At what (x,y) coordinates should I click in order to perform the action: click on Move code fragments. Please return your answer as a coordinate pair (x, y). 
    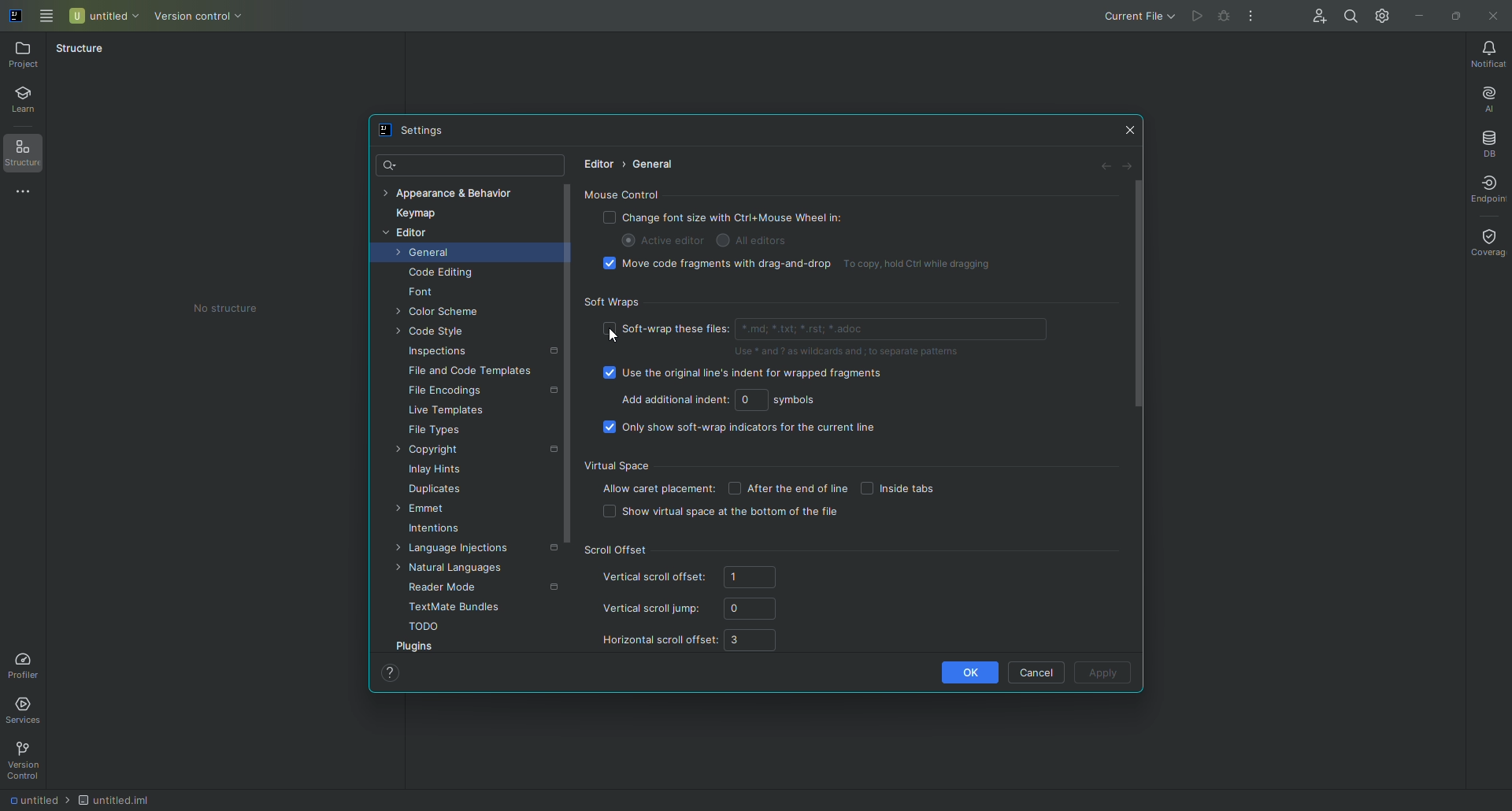
    Looking at the image, I should click on (719, 267).